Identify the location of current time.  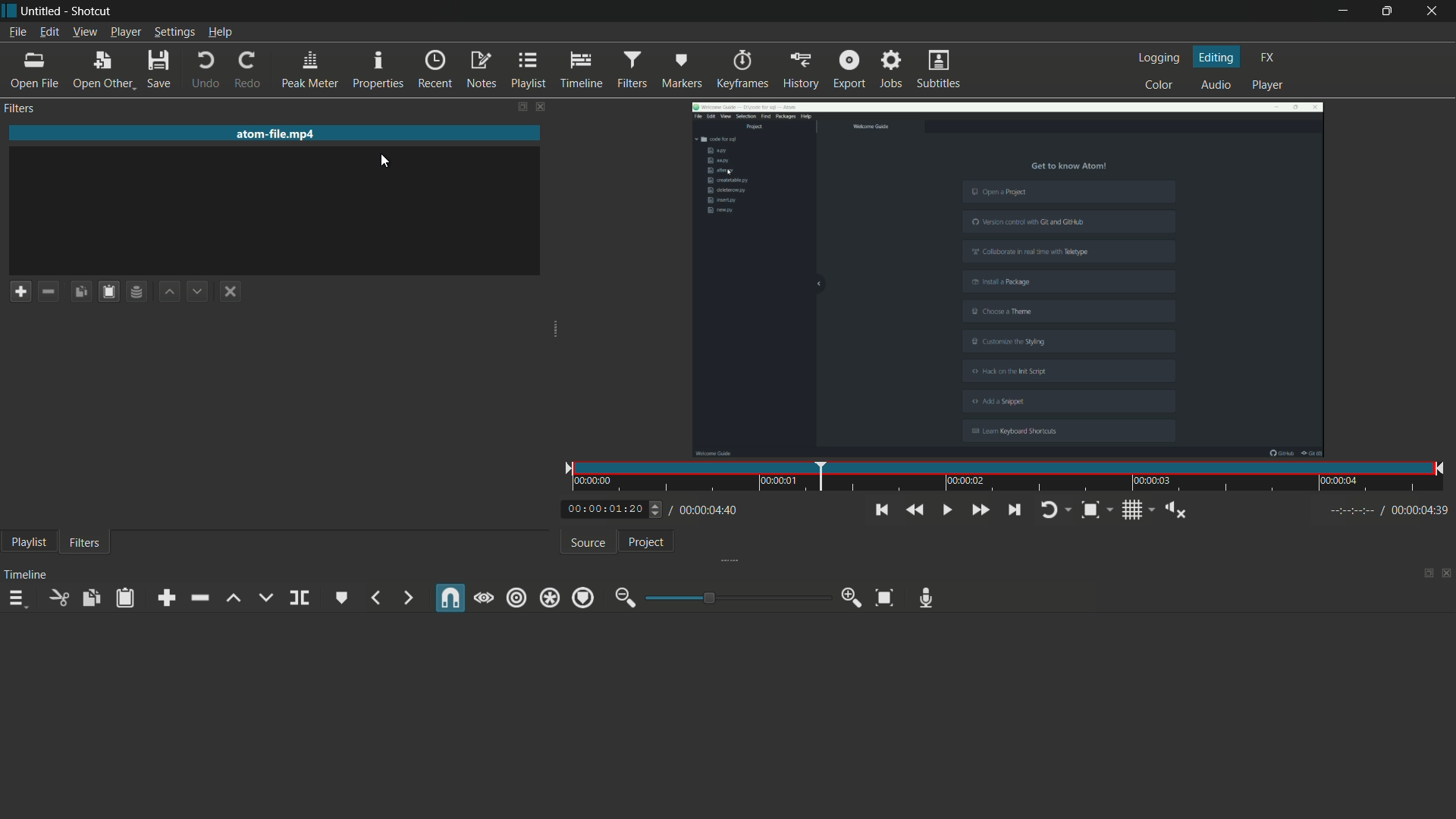
(603, 510).